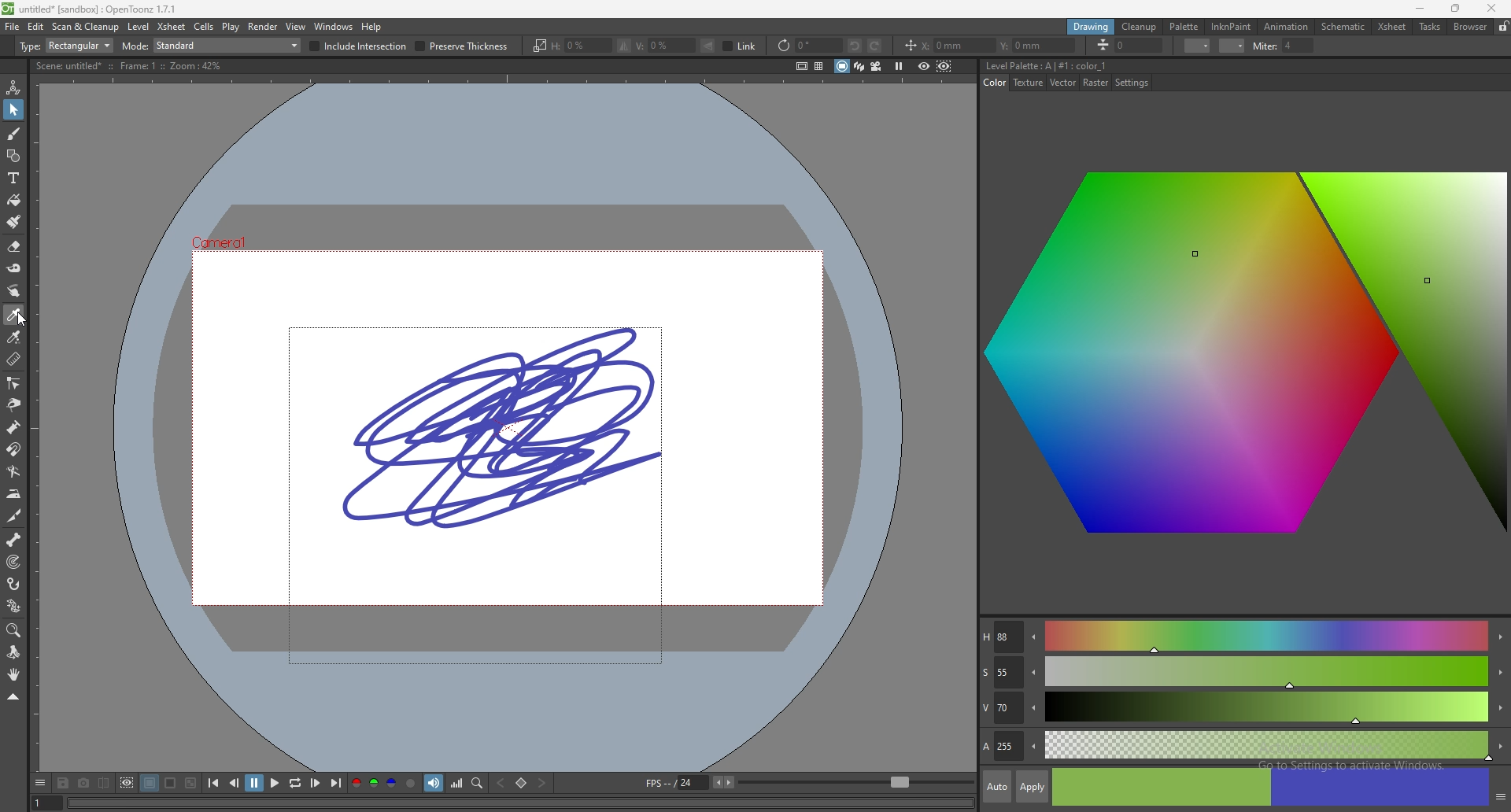  I want to click on hook tool, so click(14, 583).